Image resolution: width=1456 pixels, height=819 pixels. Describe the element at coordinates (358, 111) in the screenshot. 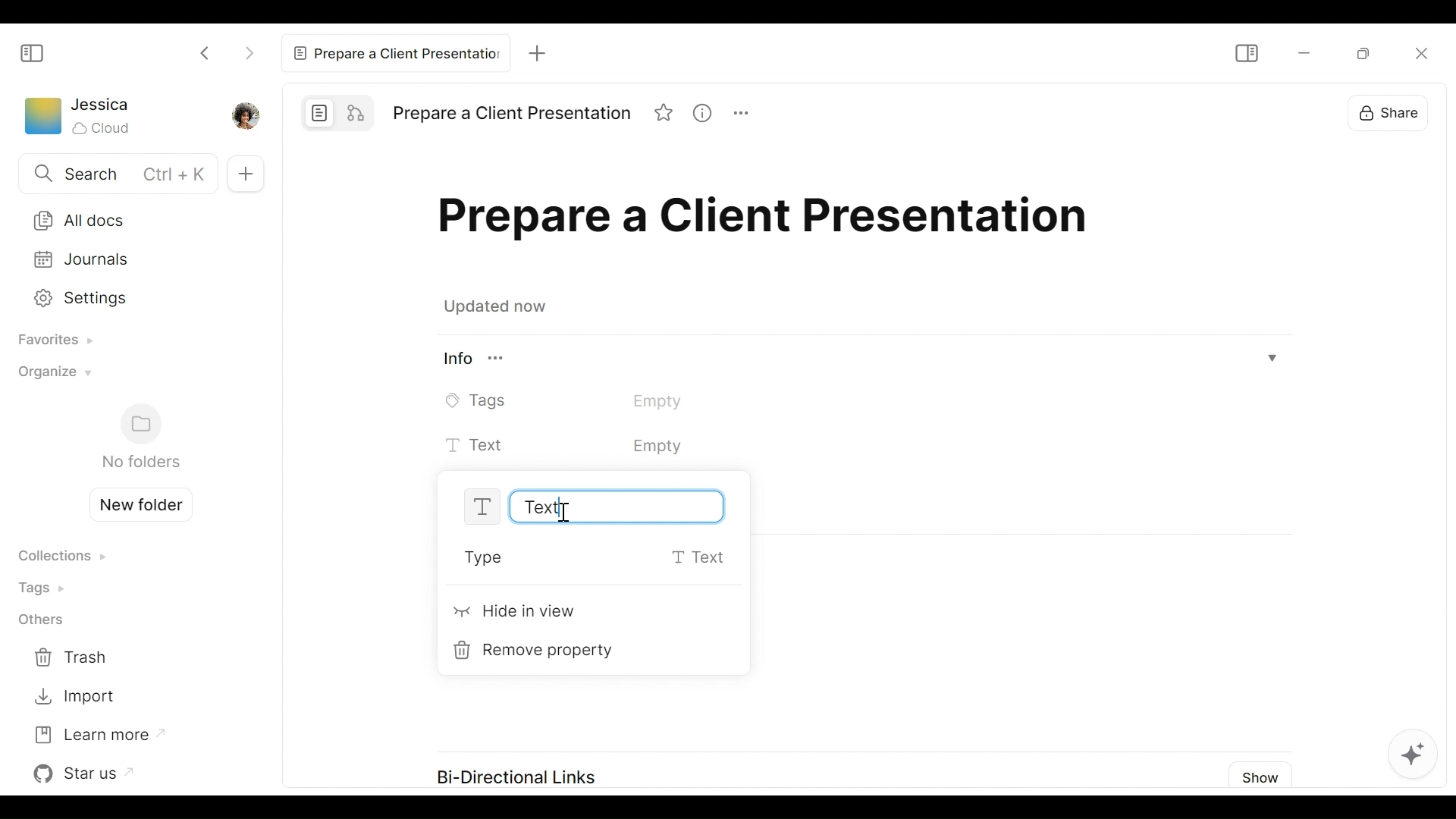

I see `Edgeless mode` at that location.